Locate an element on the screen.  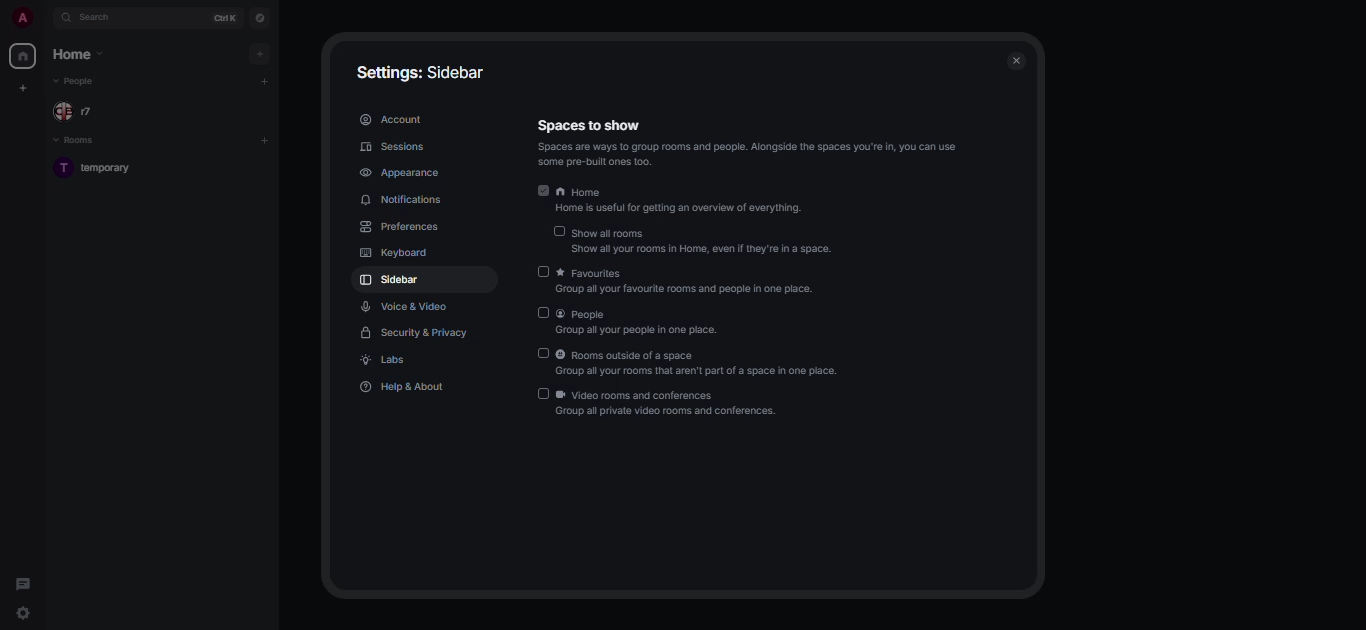
security & privacy is located at coordinates (423, 334).